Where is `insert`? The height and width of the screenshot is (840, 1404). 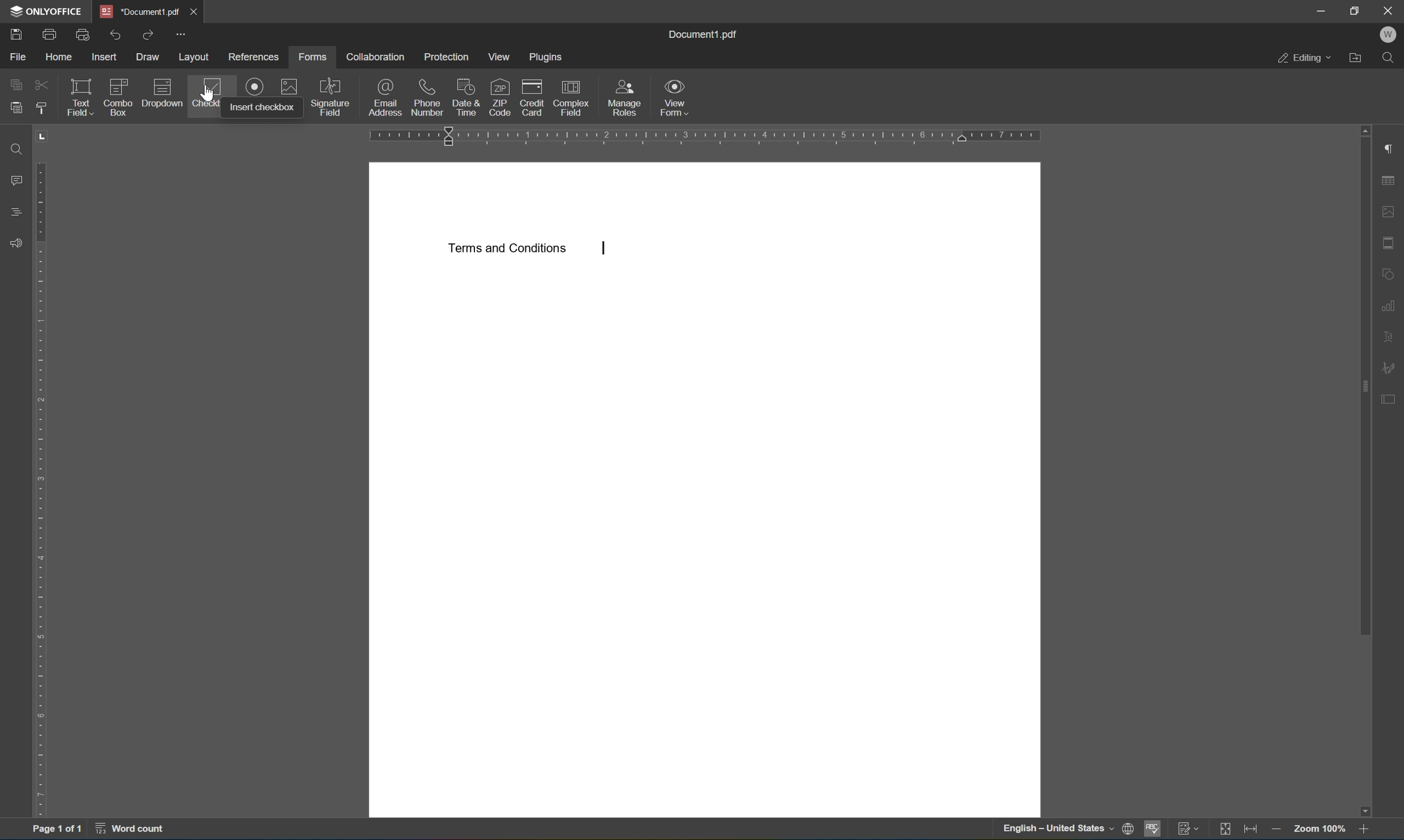
insert is located at coordinates (105, 58).